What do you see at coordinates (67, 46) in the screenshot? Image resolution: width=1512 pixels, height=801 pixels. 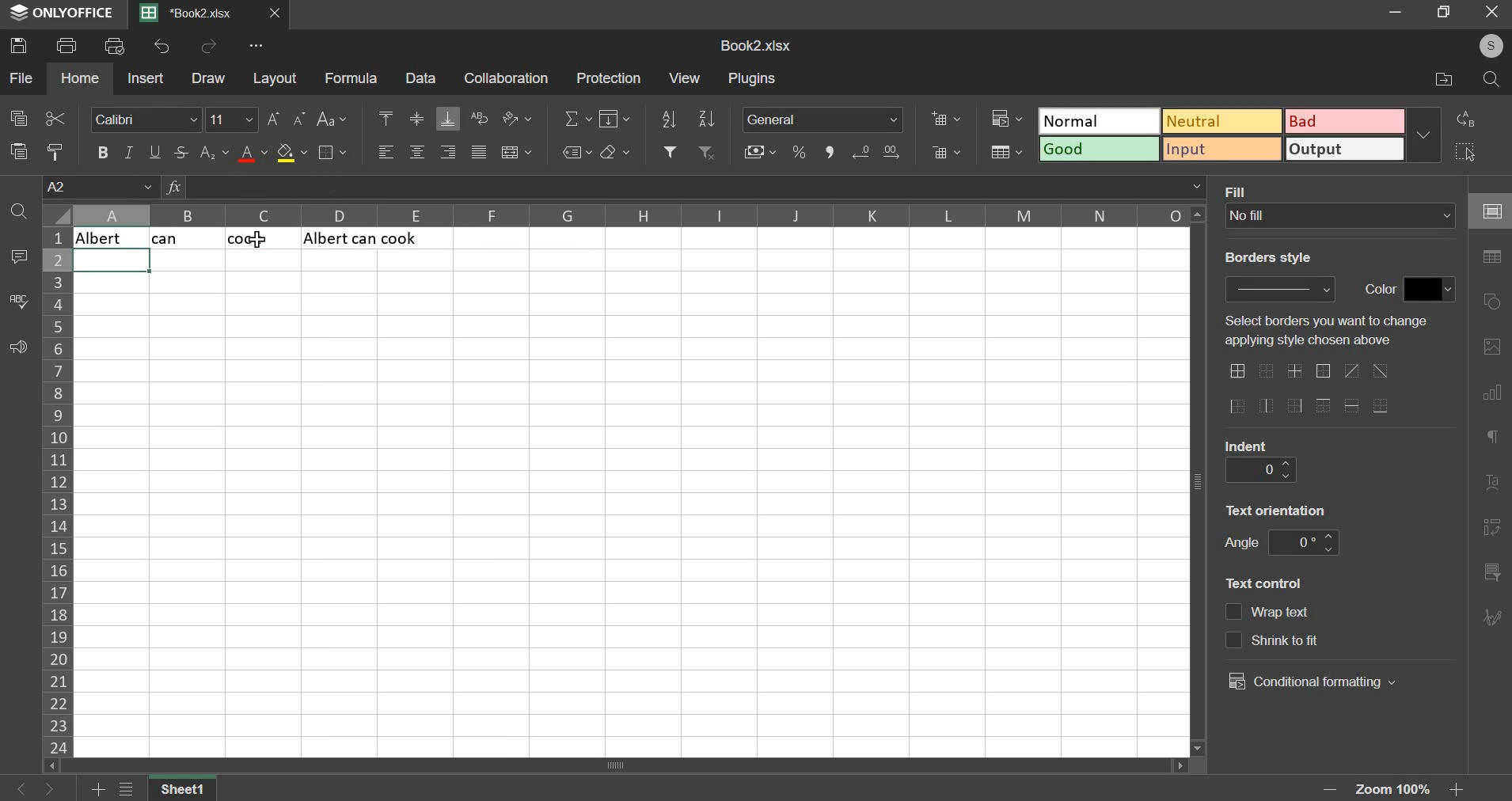 I see `print` at bounding box center [67, 46].